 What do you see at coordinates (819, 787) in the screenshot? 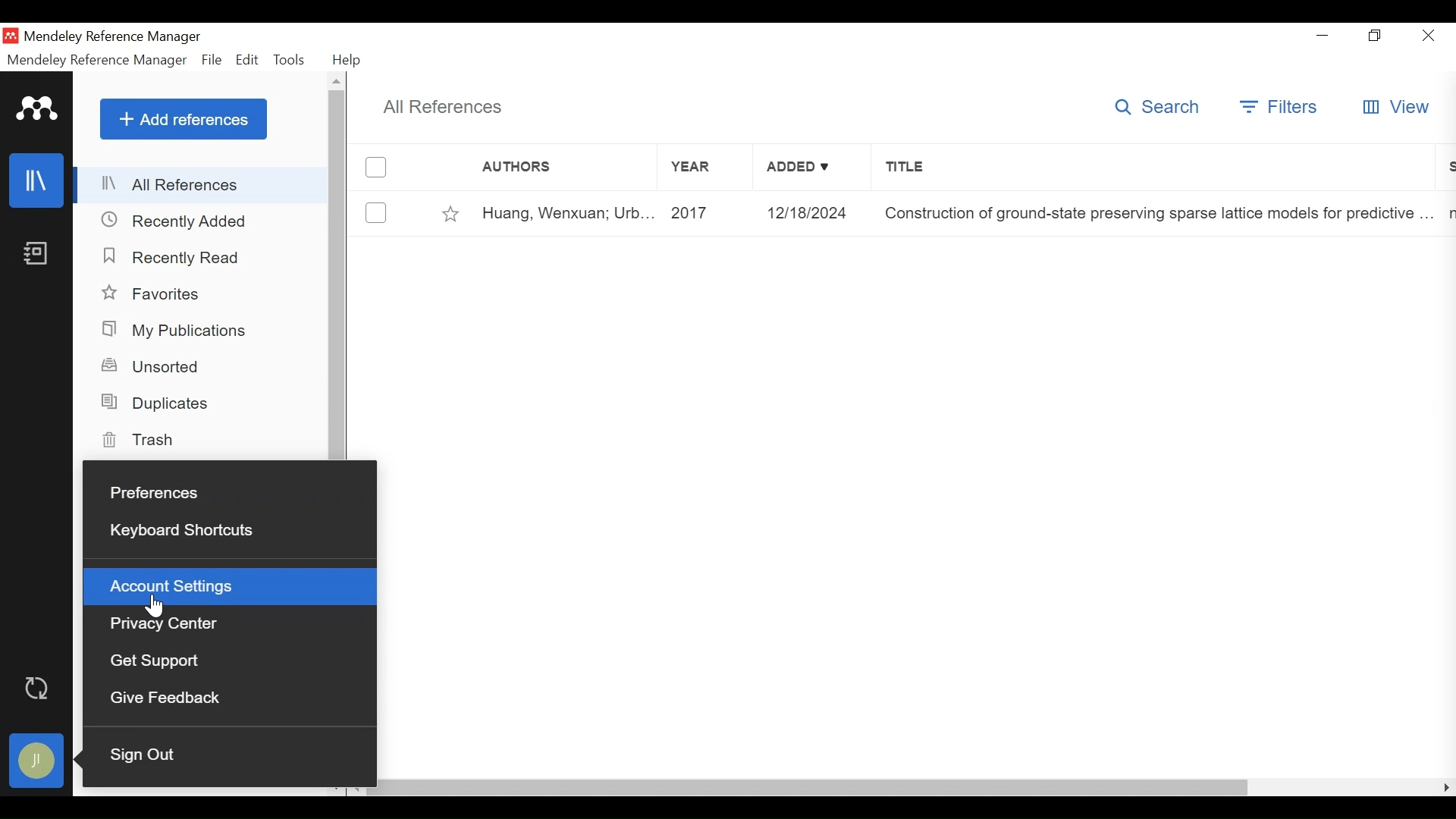
I see `horizontal scrollbar` at bounding box center [819, 787].